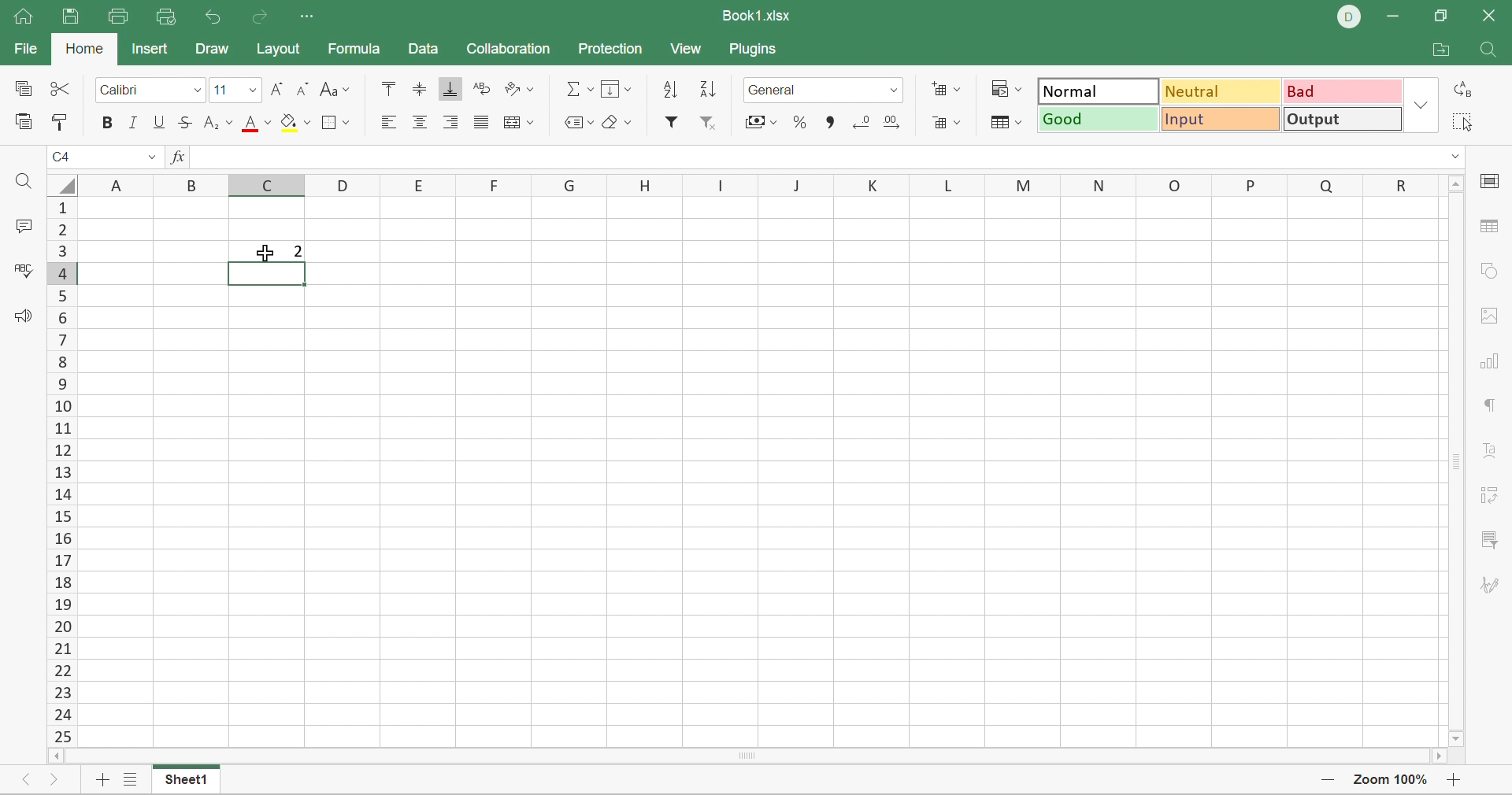 The image size is (1512, 795). Describe the element at coordinates (214, 49) in the screenshot. I see `Draw` at that location.